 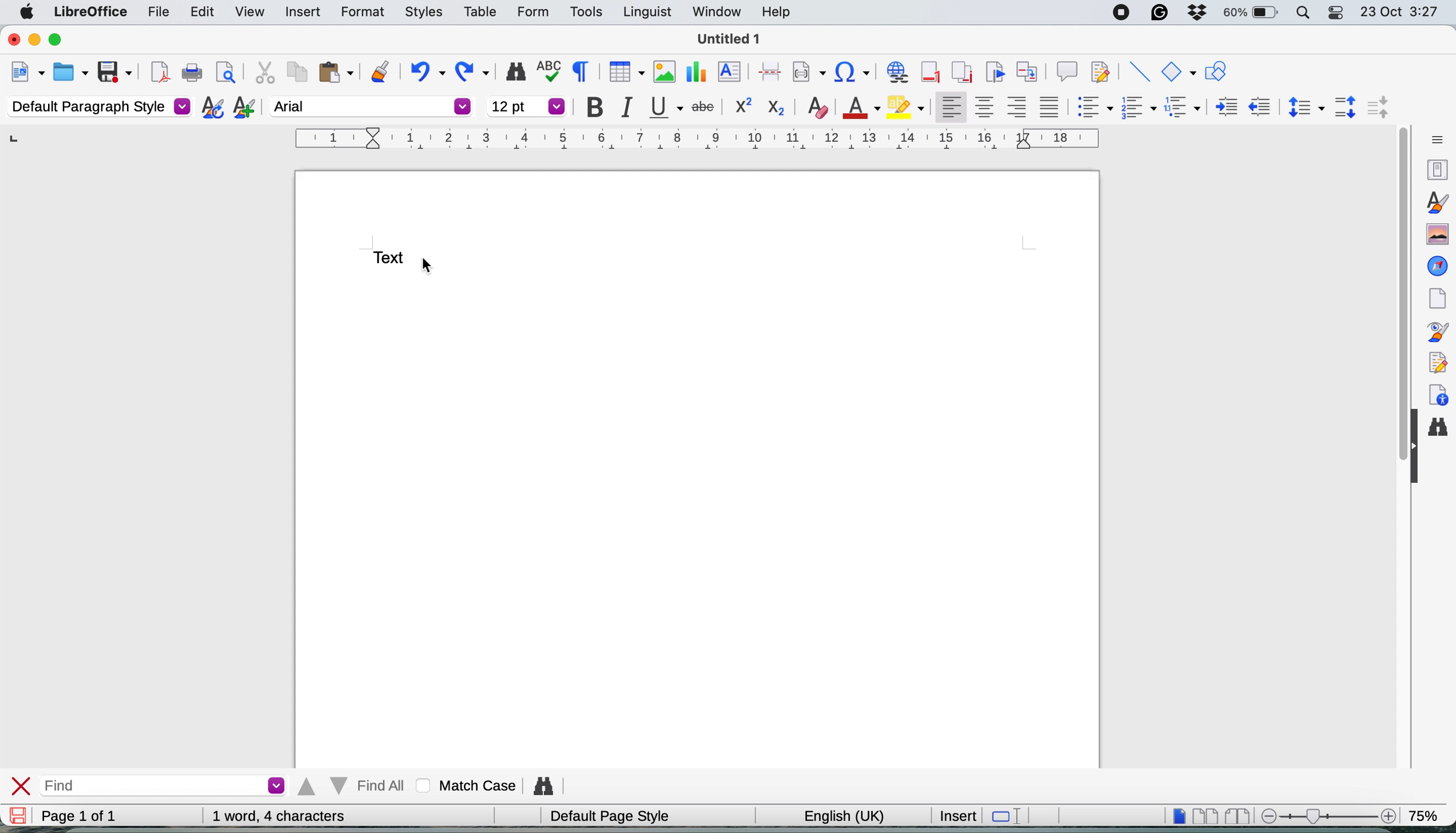 What do you see at coordinates (1437, 298) in the screenshot?
I see `page` at bounding box center [1437, 298].